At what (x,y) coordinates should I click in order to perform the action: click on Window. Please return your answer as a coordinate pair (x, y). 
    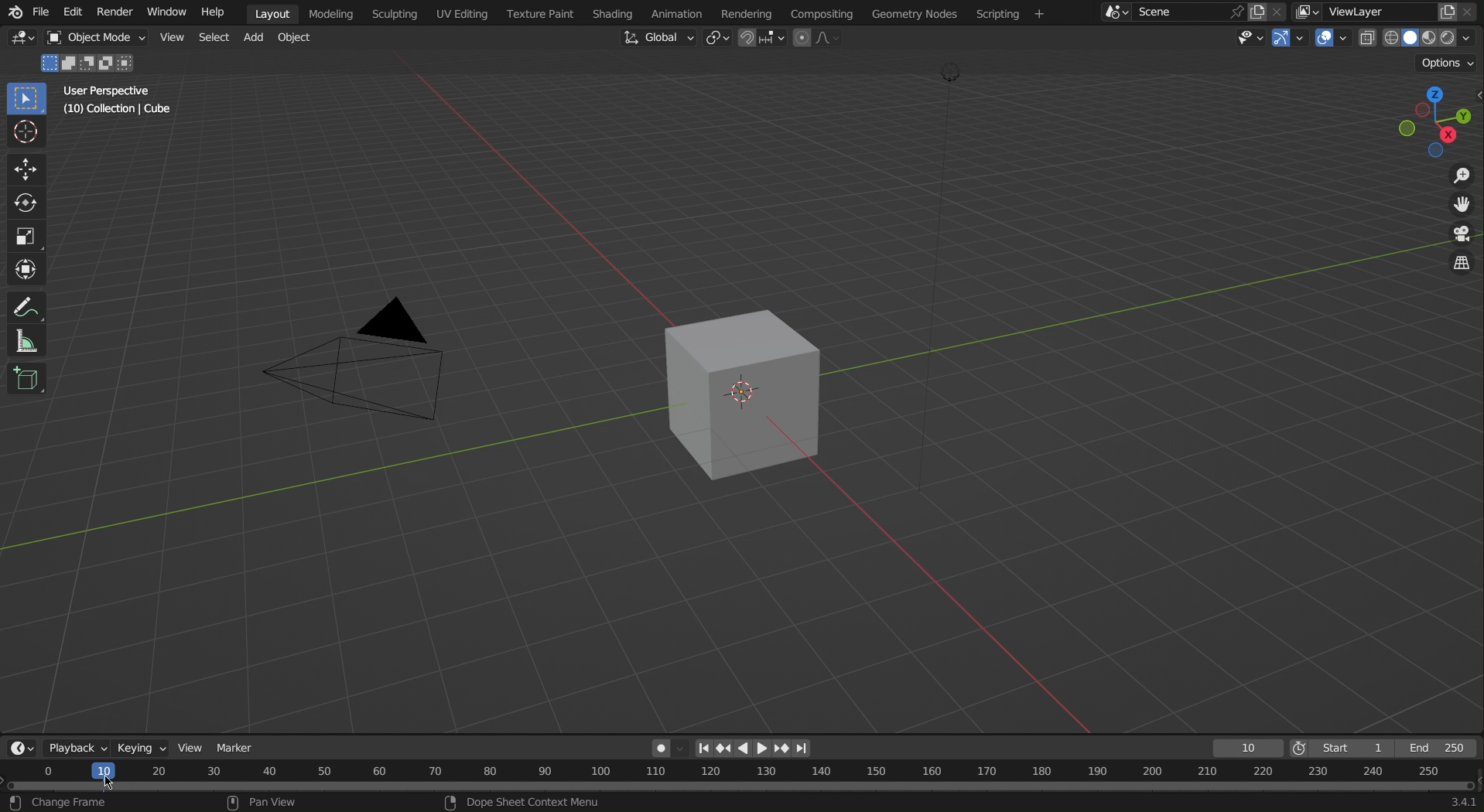
    Looking at the image, I should click on (166, 13).